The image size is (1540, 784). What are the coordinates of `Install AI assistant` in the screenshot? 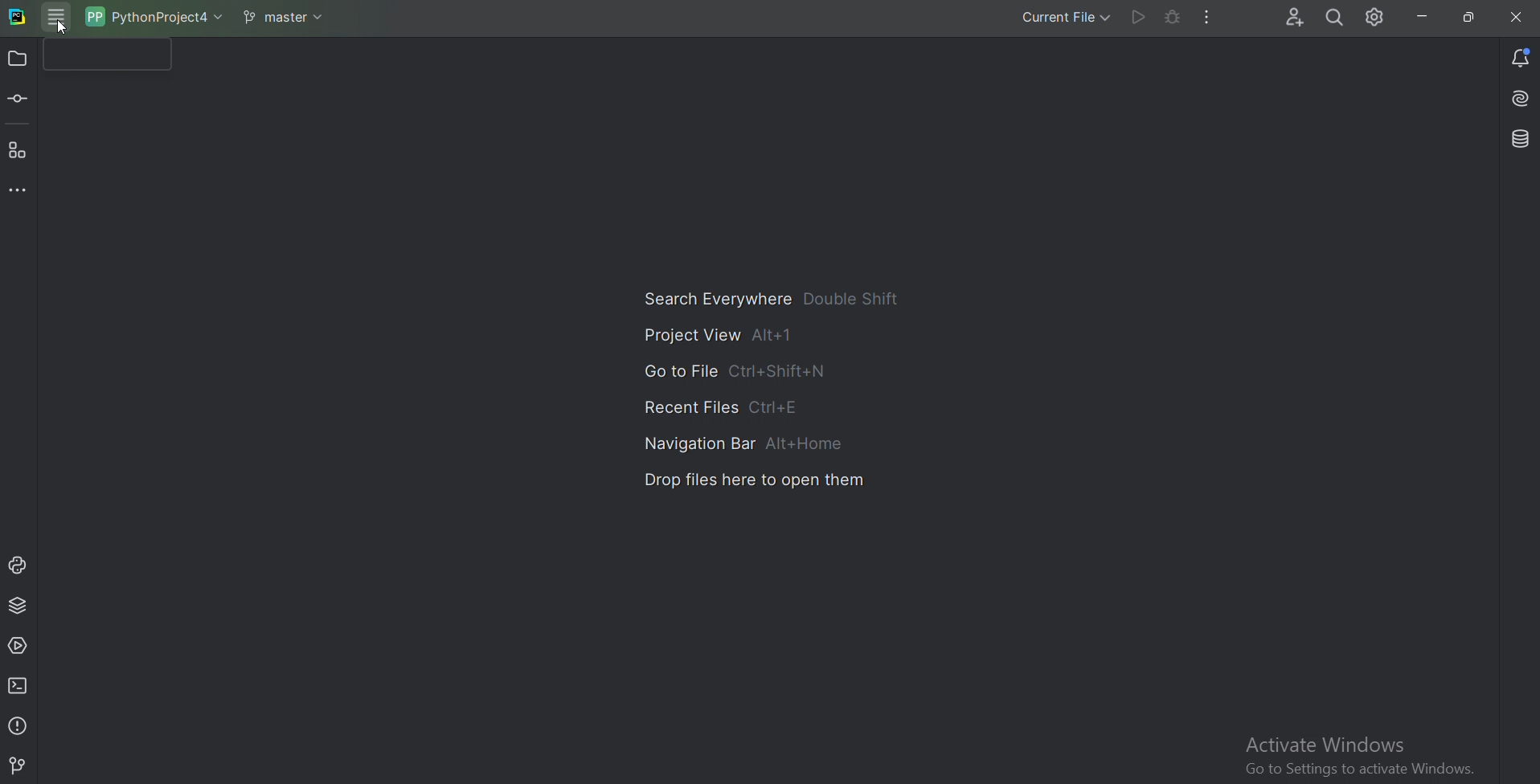 It's located at (1517, 99).